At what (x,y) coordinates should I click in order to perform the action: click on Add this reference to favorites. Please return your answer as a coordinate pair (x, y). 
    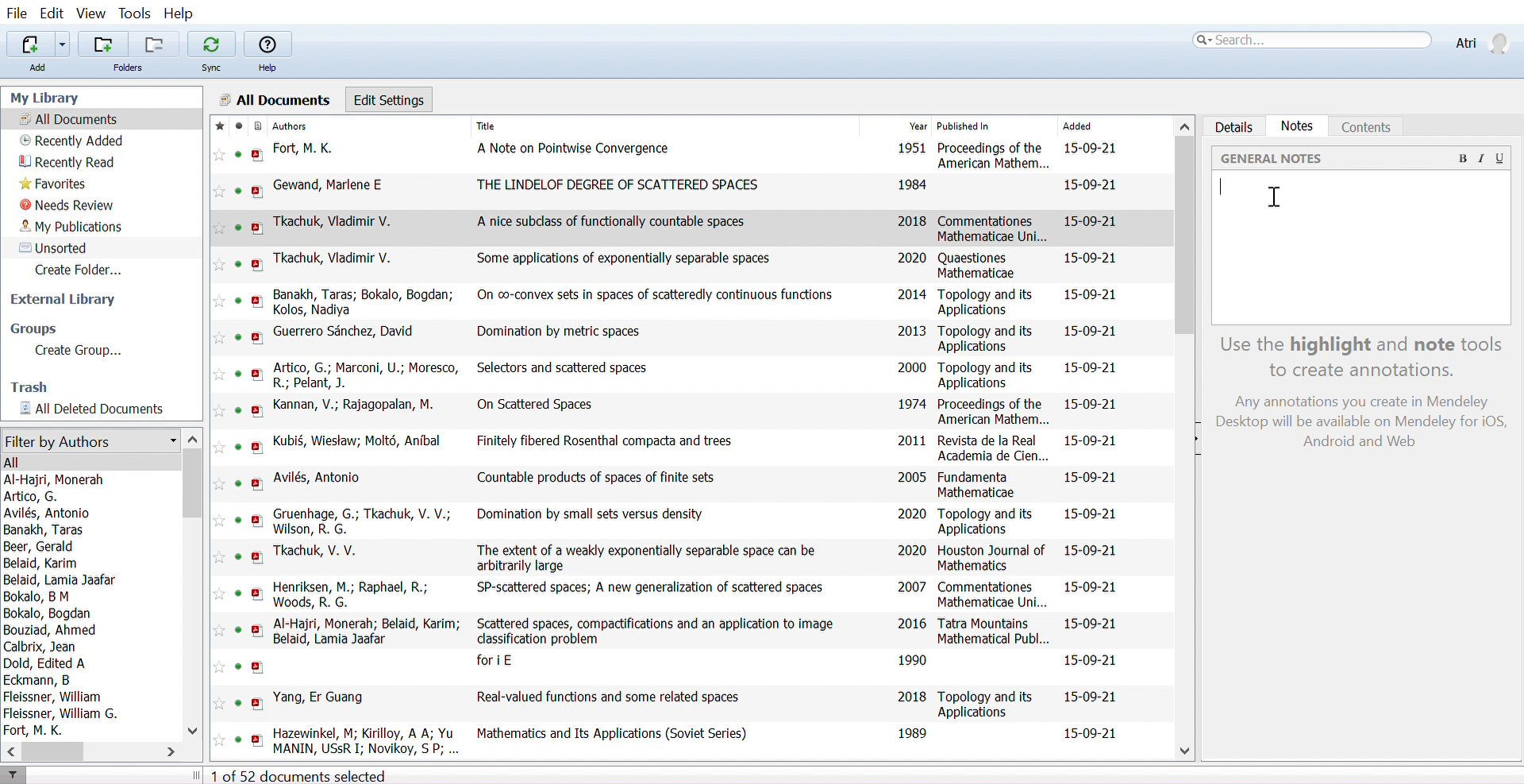
    Looking at the image, I should click on (220, 522).